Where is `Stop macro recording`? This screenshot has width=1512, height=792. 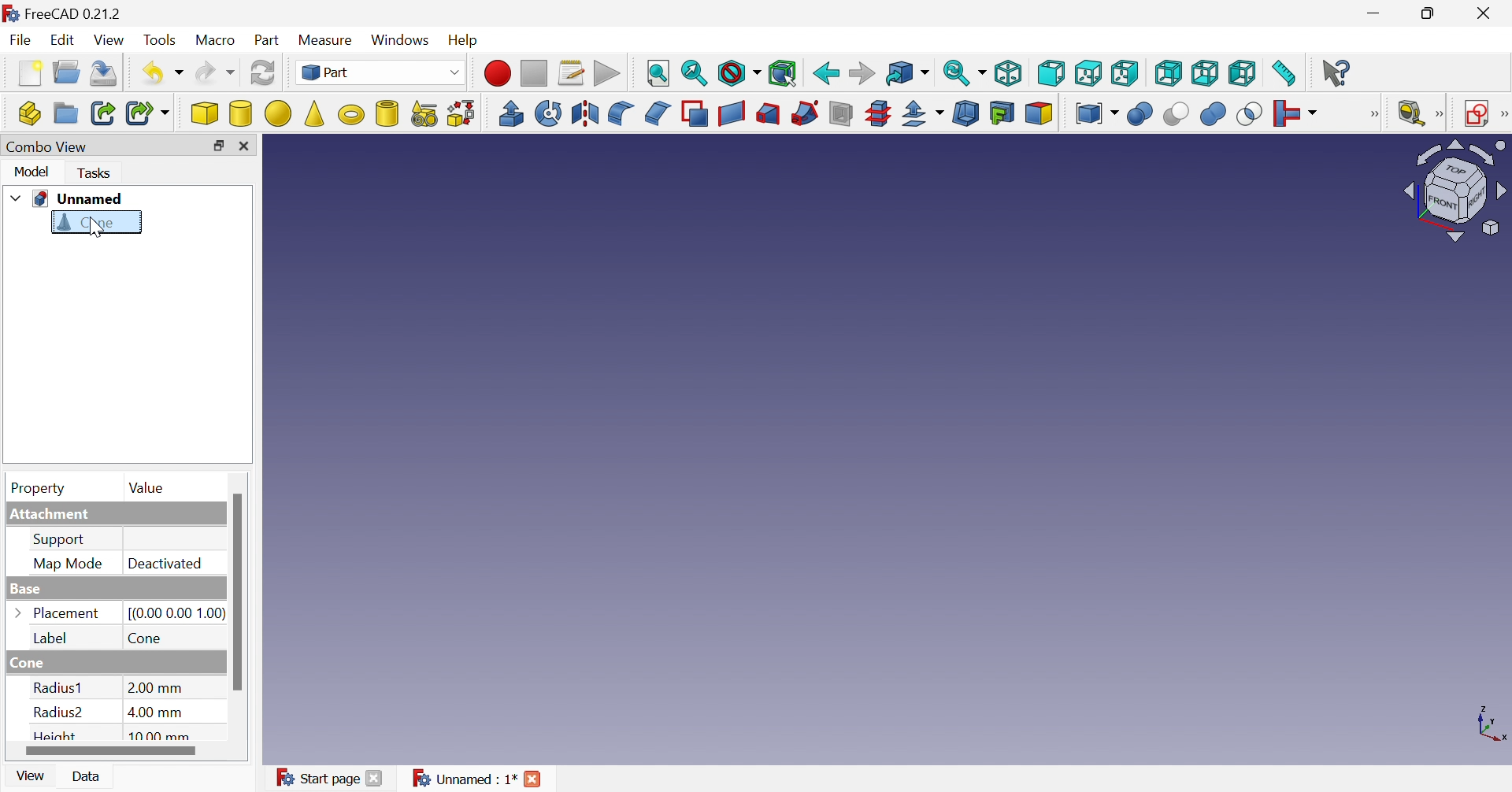 Stop macro recording is located at coordinates (537, 72).